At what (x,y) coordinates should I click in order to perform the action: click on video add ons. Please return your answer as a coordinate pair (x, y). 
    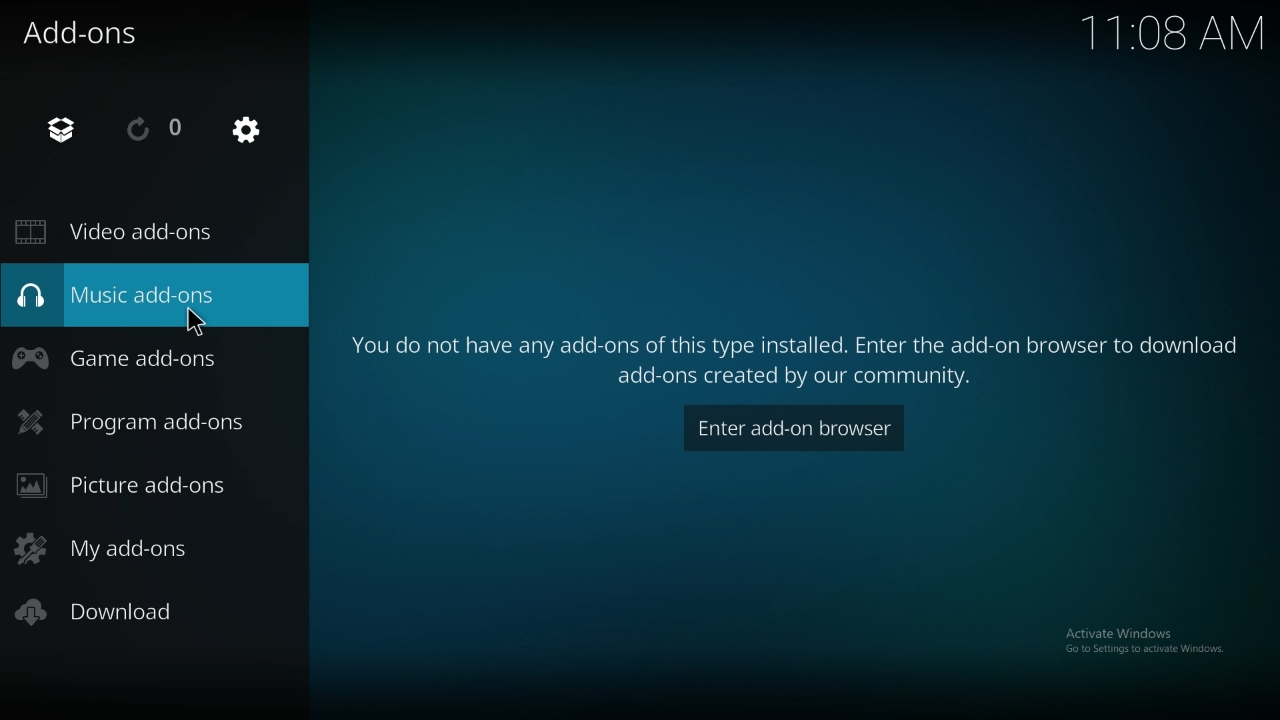
    Looking at the image, I should click on (125, 232).